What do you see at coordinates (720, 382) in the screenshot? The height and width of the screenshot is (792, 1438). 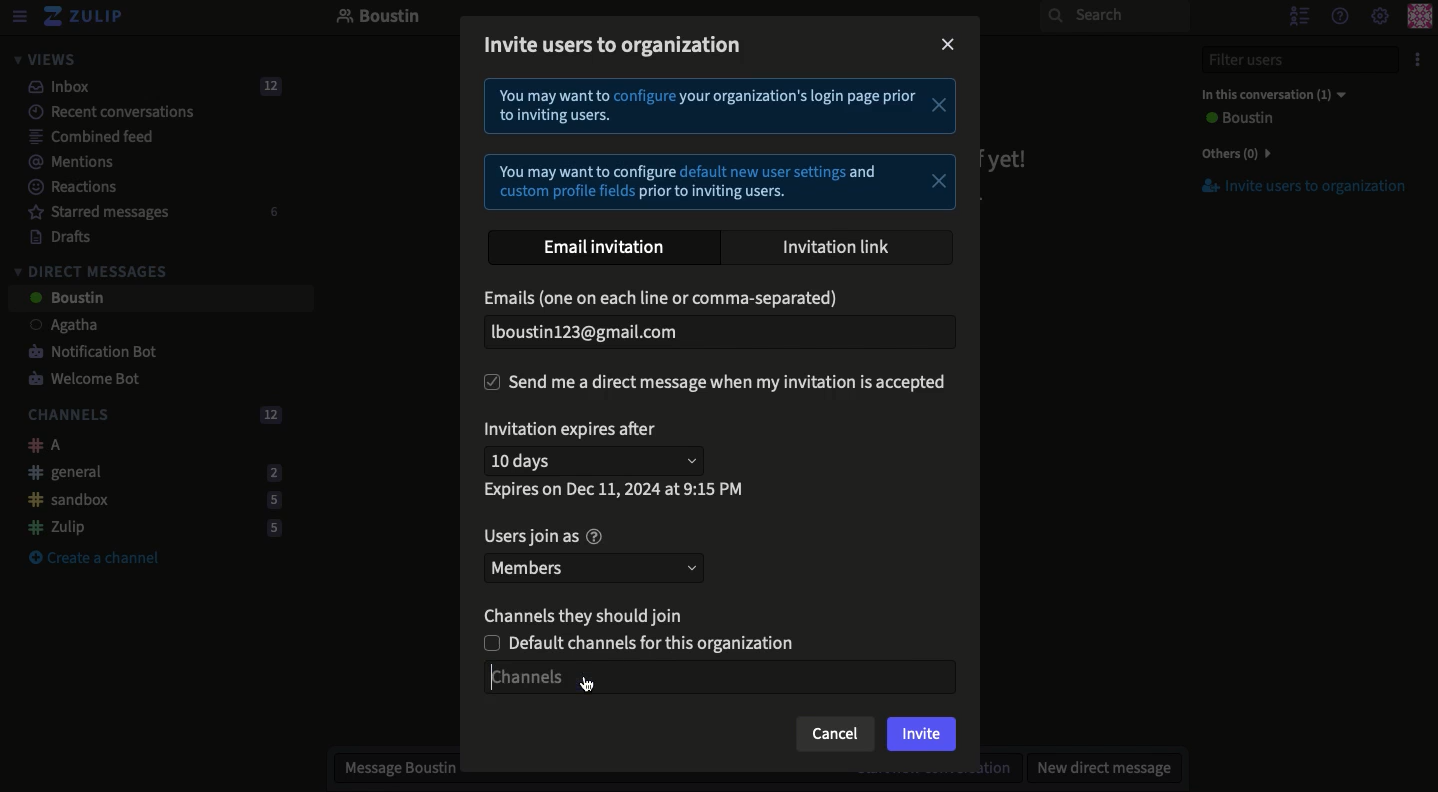 I see `Send DM when invitation is accepted` at bounding box center [720, 382].